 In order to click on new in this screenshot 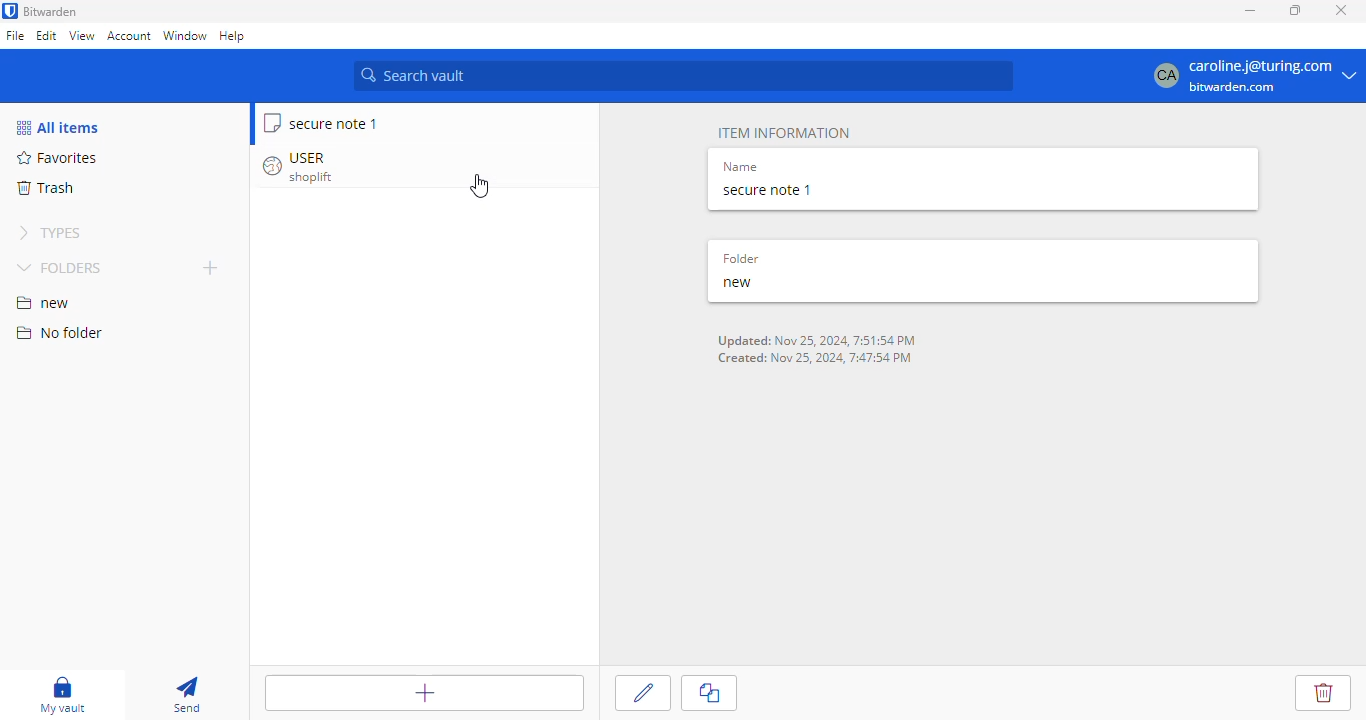, I will do `click(736, 283)`.